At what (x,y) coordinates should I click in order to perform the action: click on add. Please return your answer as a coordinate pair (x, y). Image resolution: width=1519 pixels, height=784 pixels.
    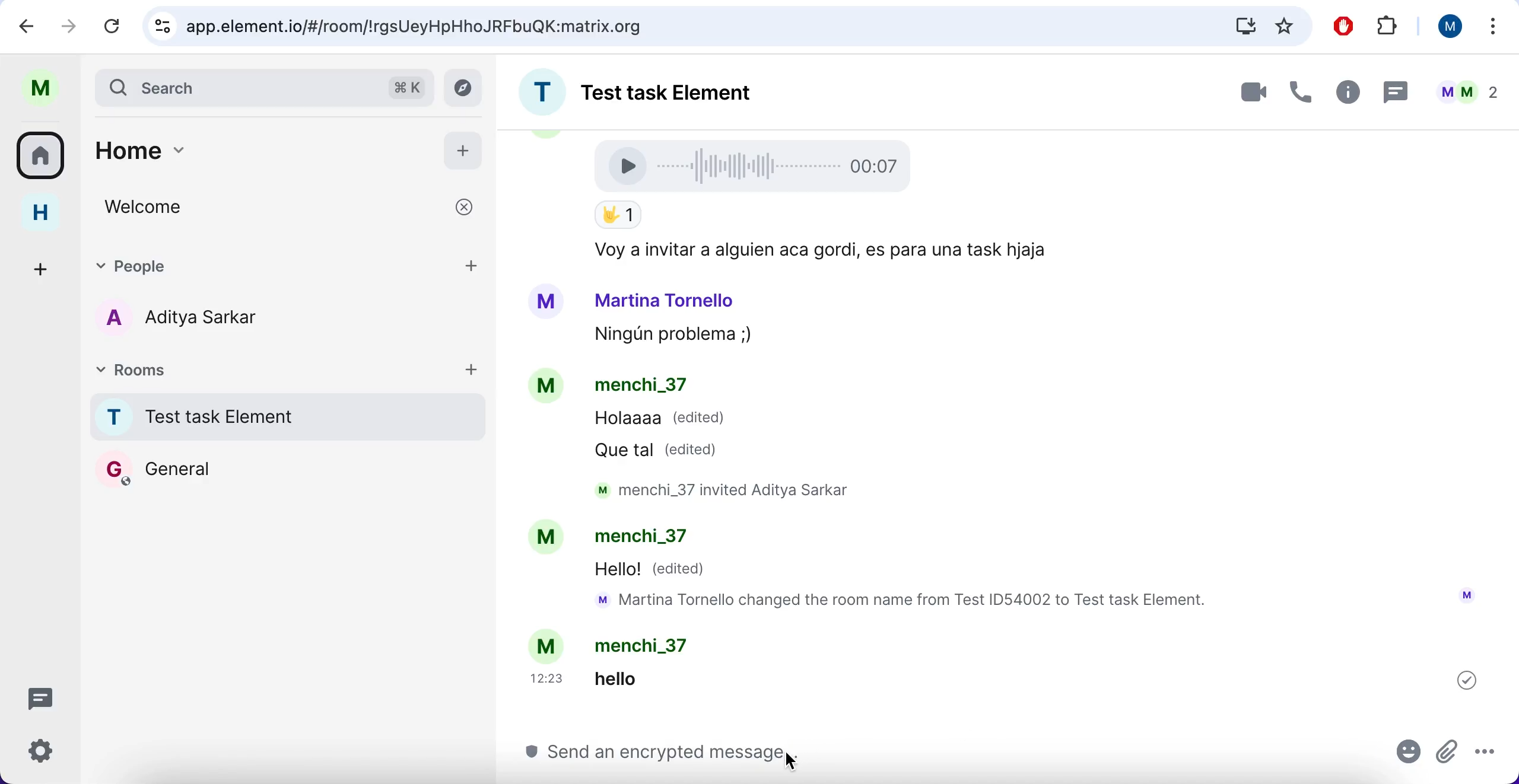
    Looking at the image, I should click on (472, 368).